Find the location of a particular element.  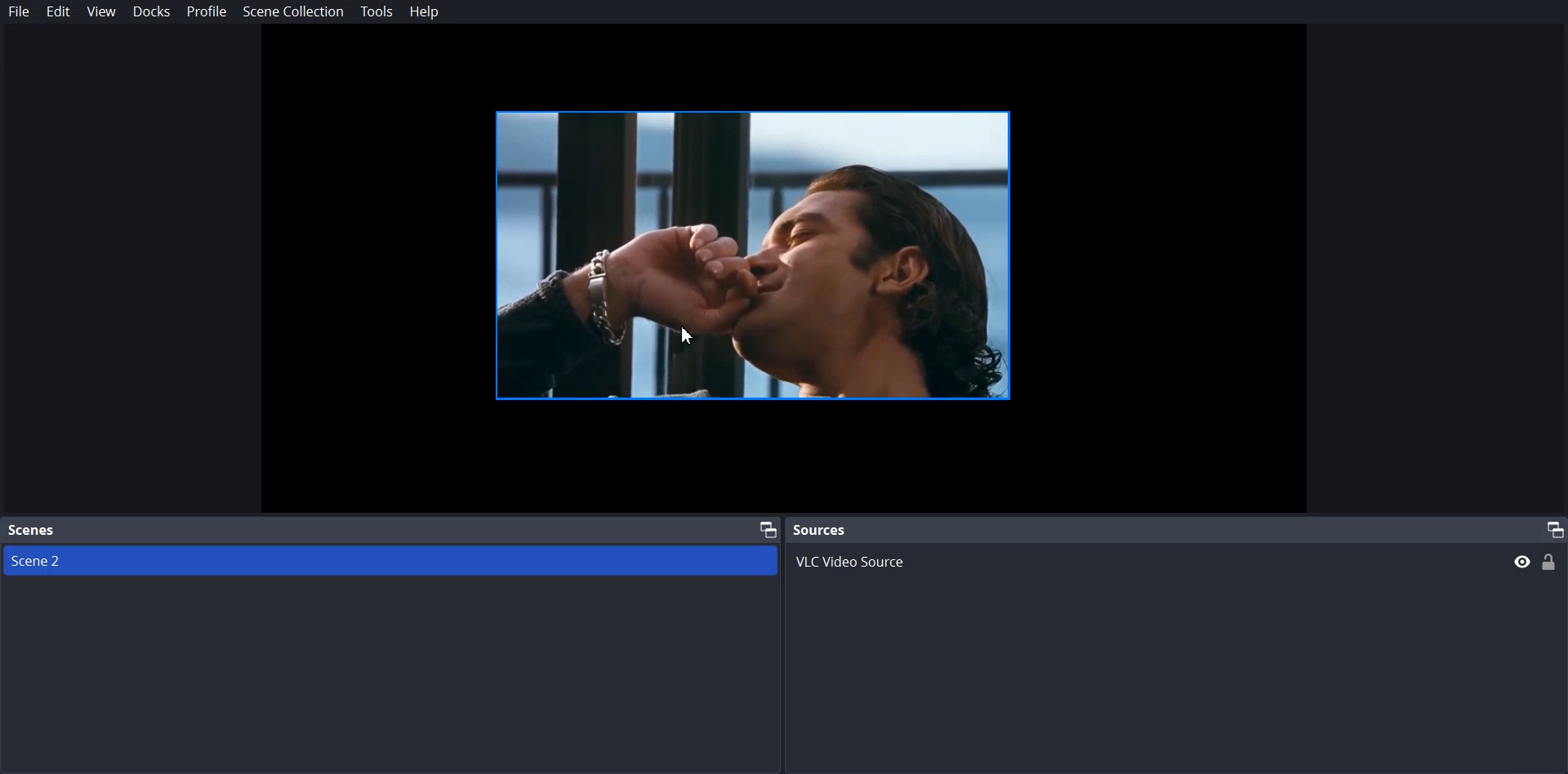

Edit is located at coordinates (57, 12).